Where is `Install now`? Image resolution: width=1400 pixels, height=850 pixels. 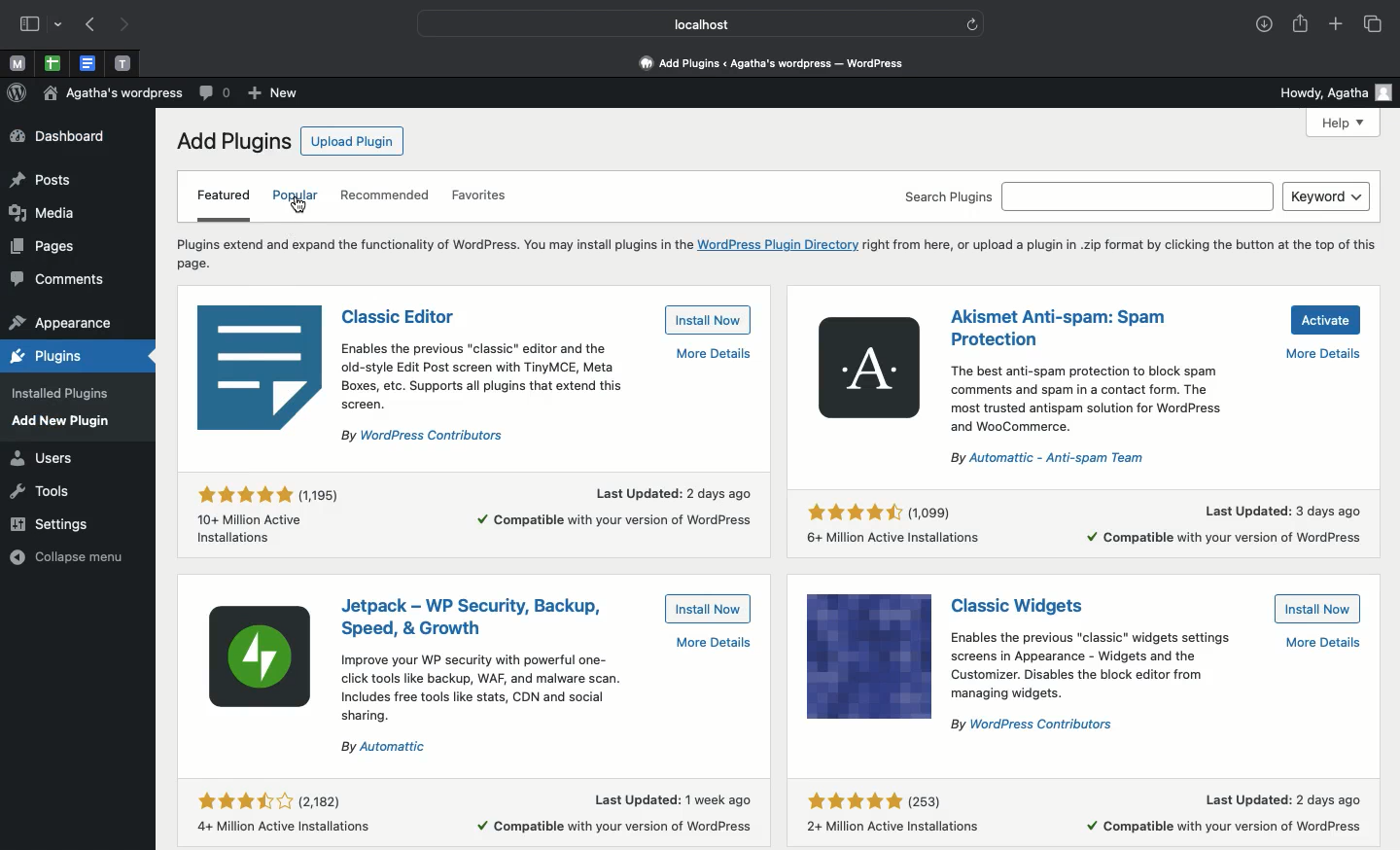 Install now is located at coordinates (707, 322).